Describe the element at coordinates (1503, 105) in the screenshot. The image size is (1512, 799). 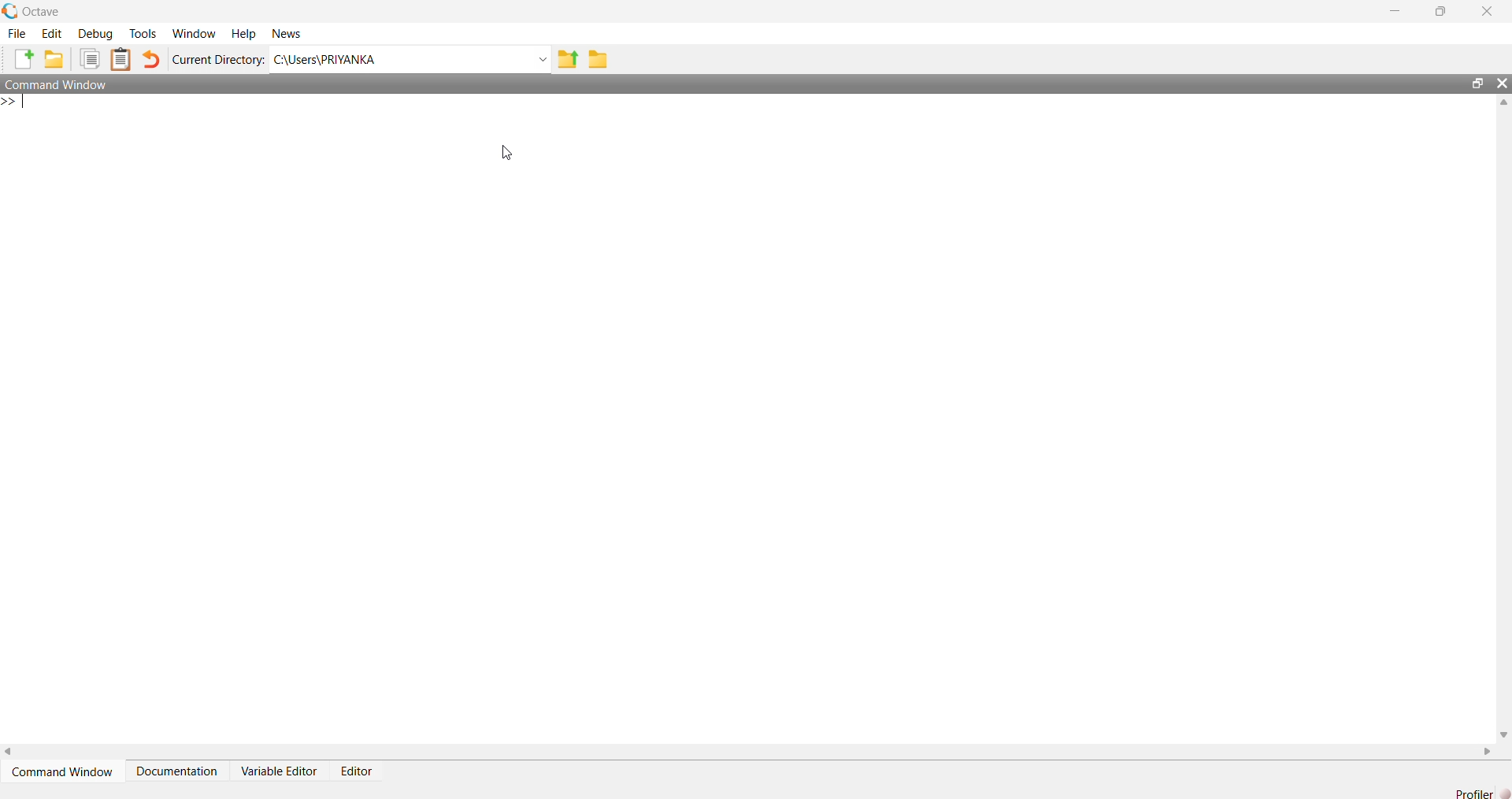
I see `Up` at that location.